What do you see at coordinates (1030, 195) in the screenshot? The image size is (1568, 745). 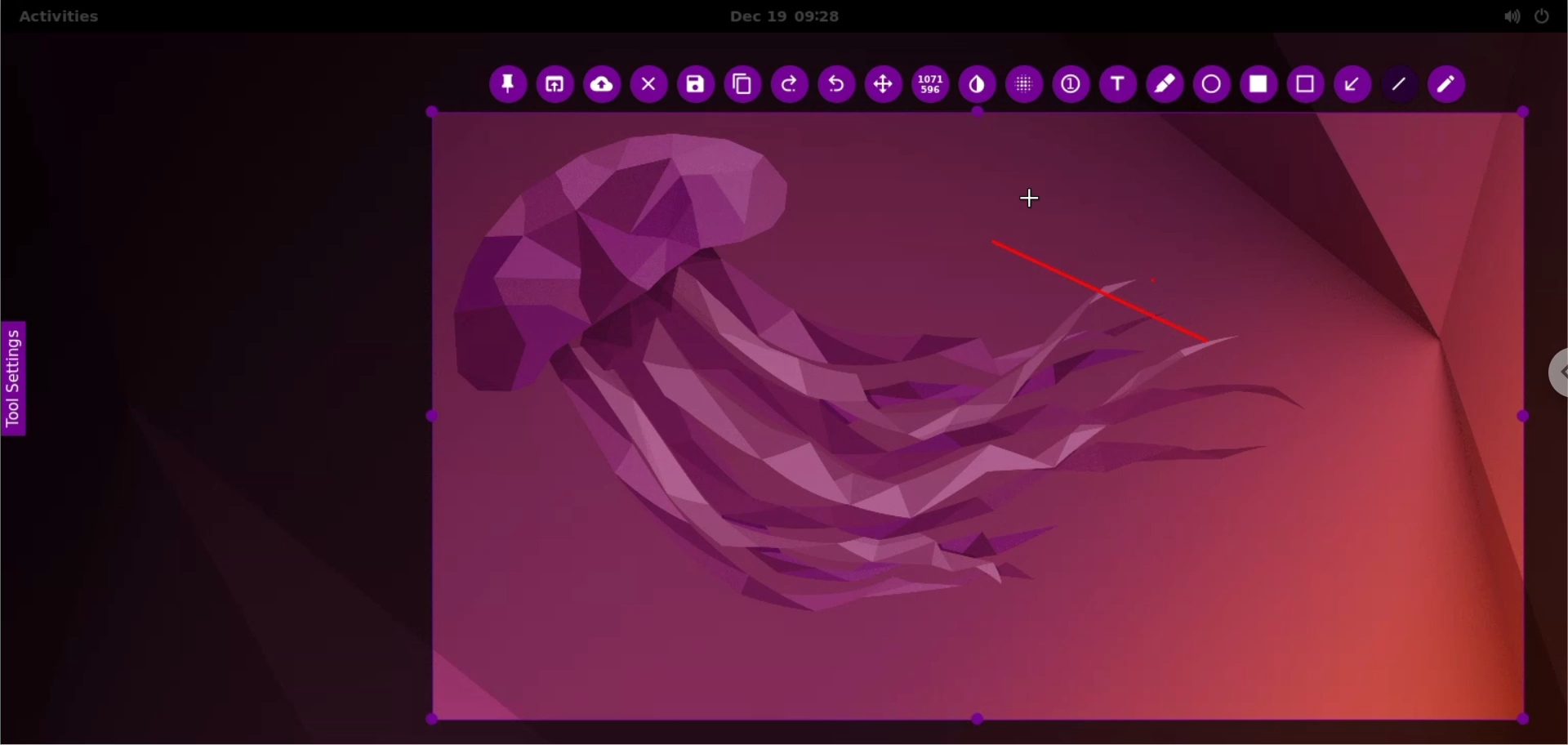 I see `cursor` at bounding box center [1030, 195].